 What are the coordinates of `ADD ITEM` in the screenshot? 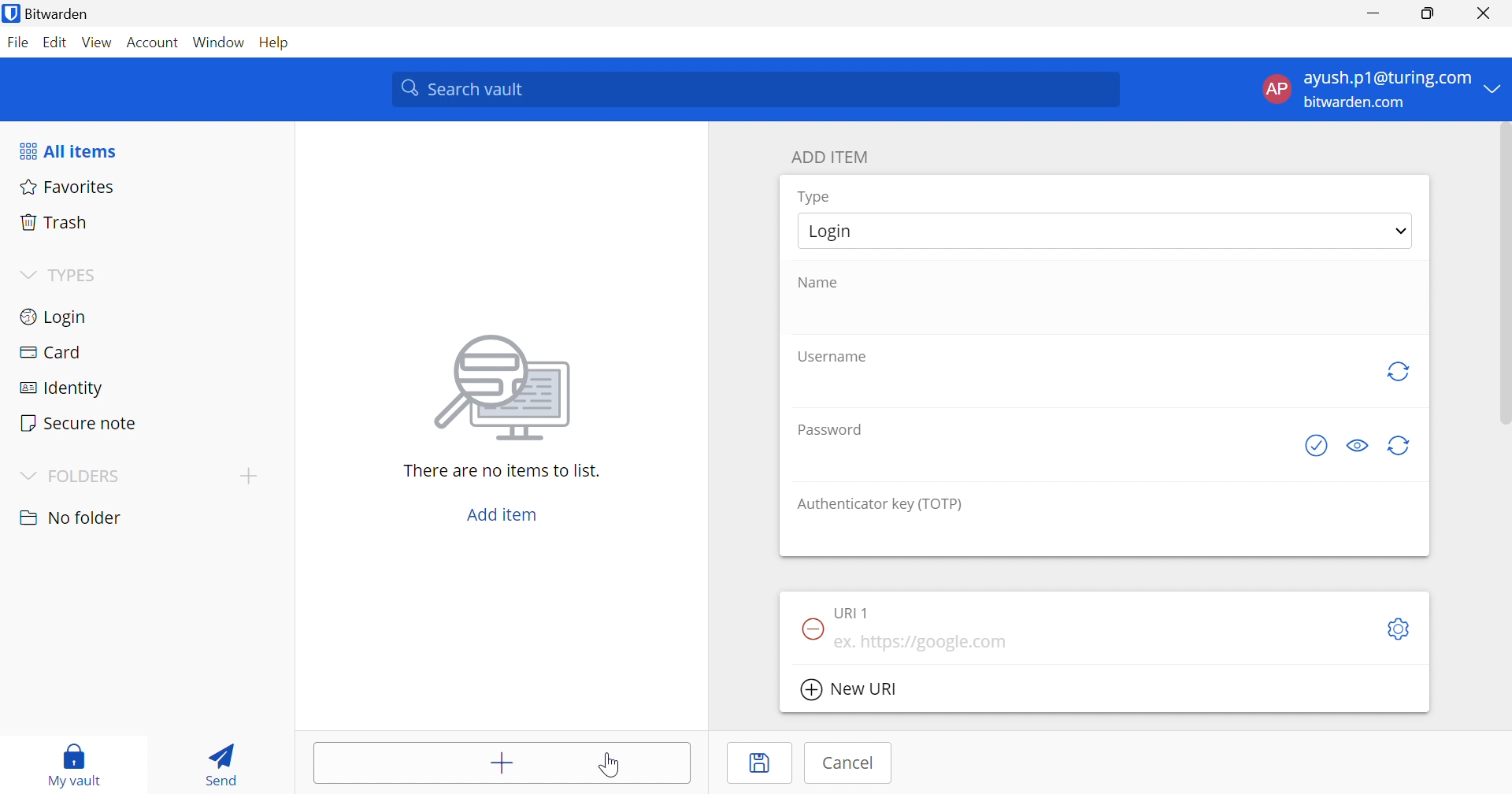 It's located at (834, 158).